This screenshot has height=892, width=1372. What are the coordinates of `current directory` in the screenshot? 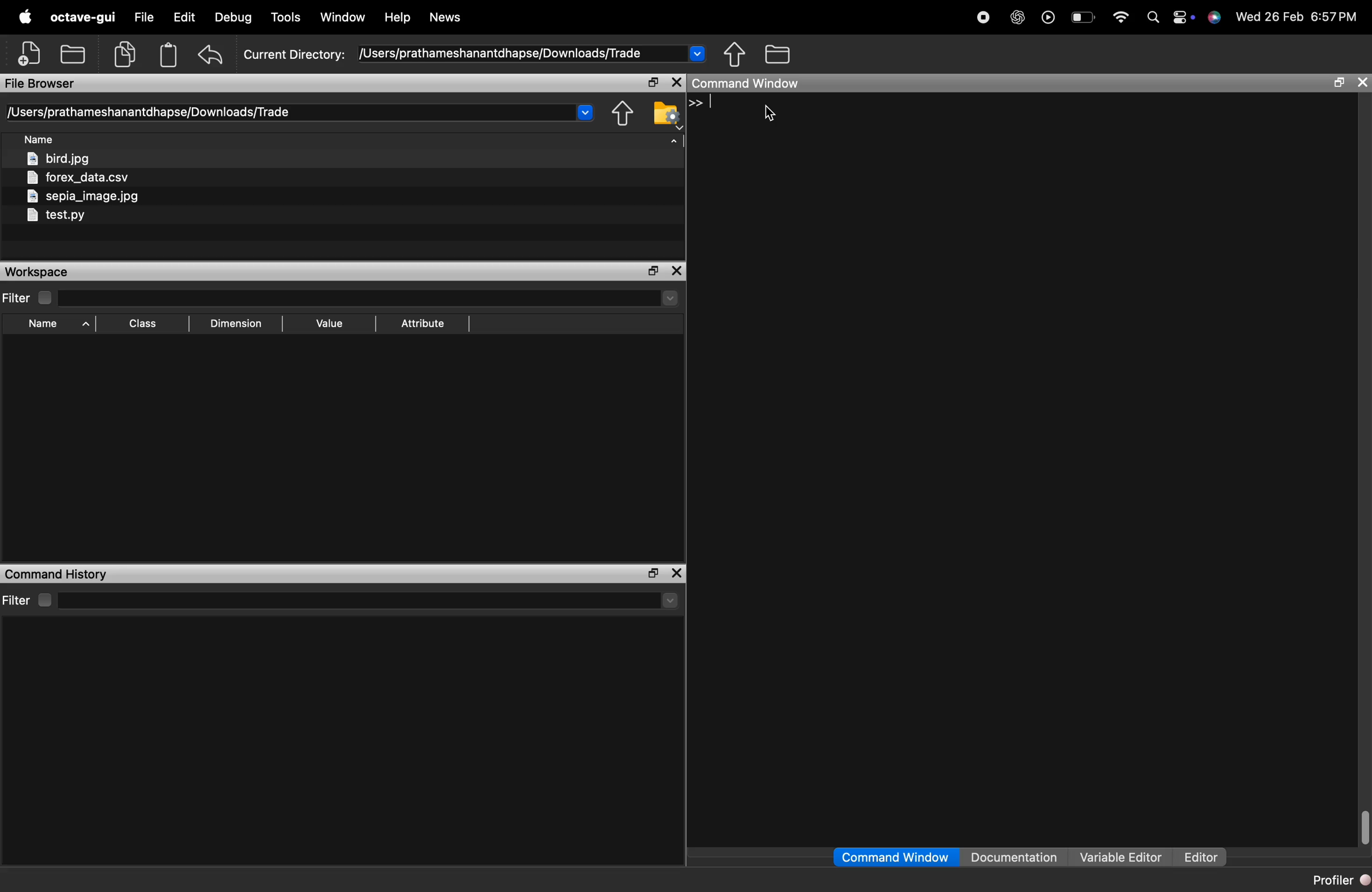 It's located at (473, 54).